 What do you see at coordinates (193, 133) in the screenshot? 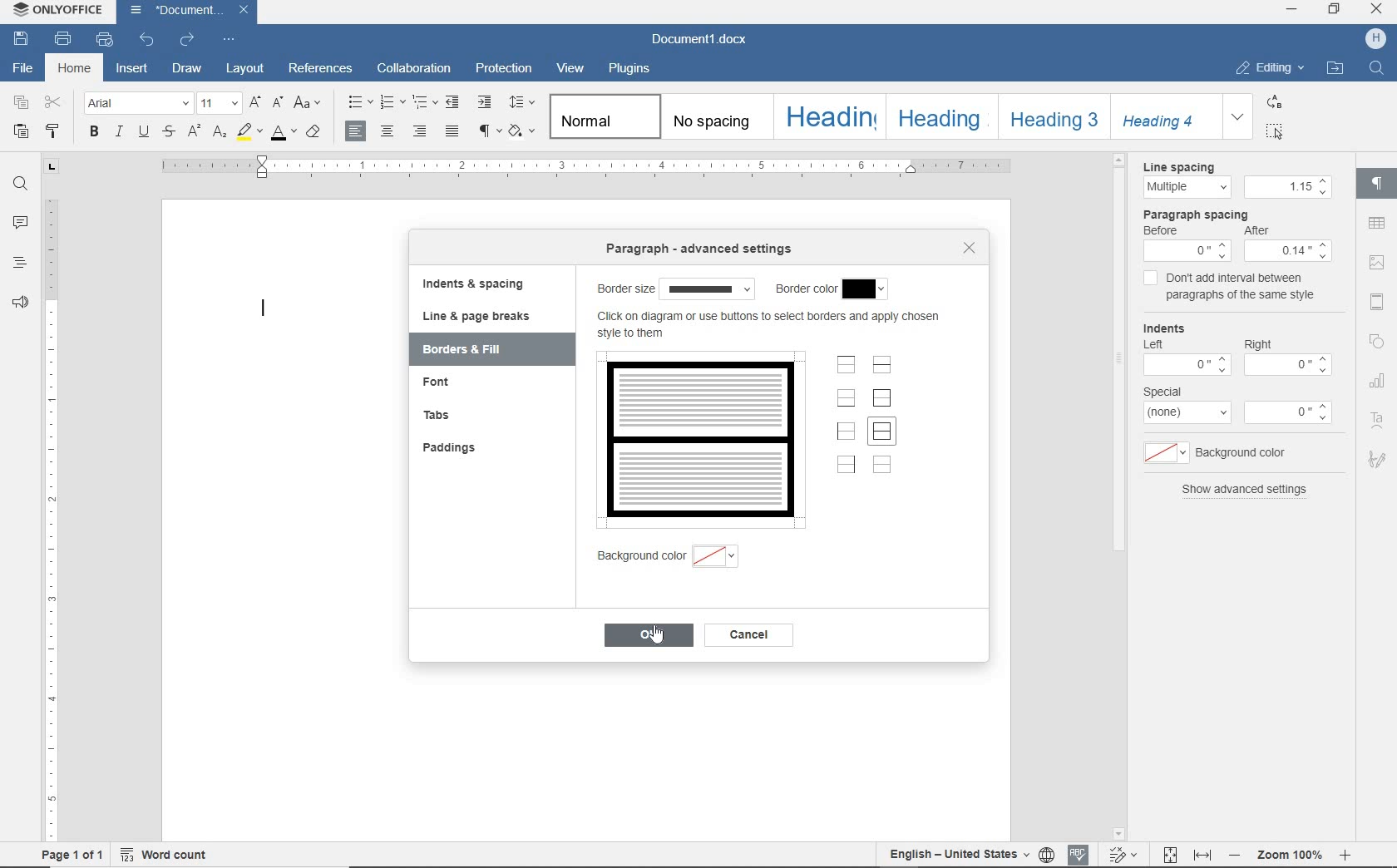
I see `superscript` at bounding box center [193, 133].